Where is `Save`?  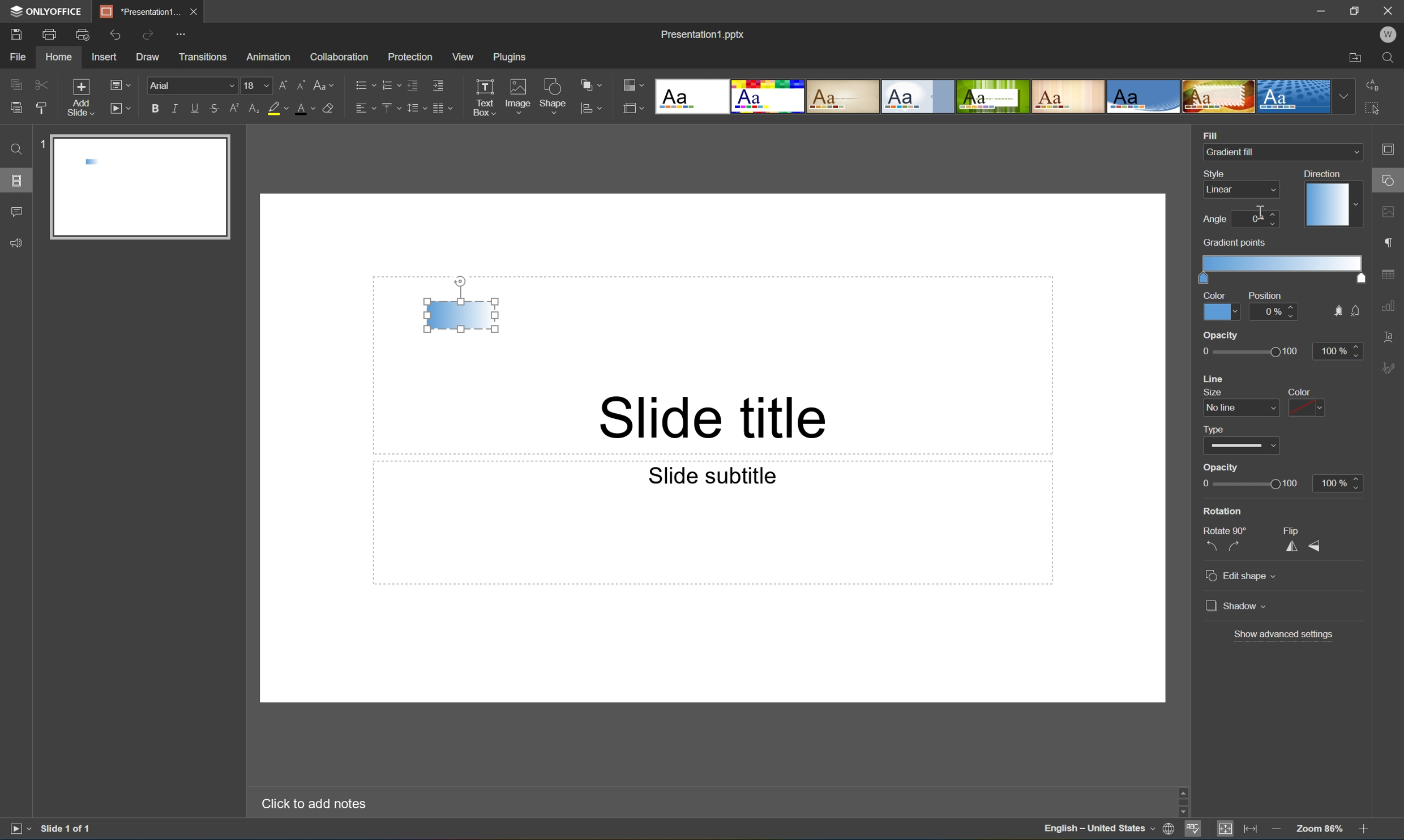
Save is located at coordinates (14, 33).